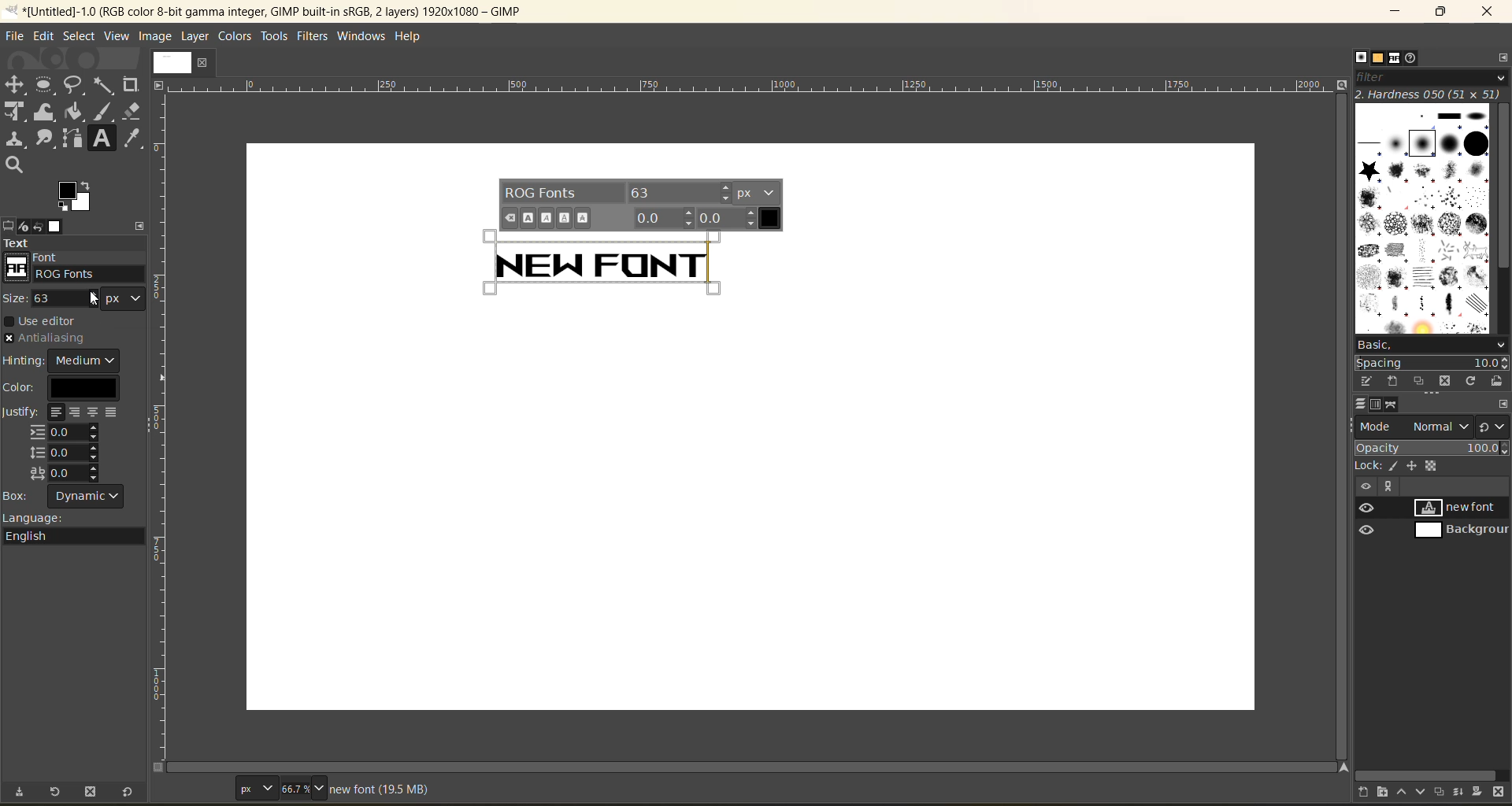 Image resolution: width=1512 pixels, height=806 pixels. I want to click on text font options, so click(643, 205).